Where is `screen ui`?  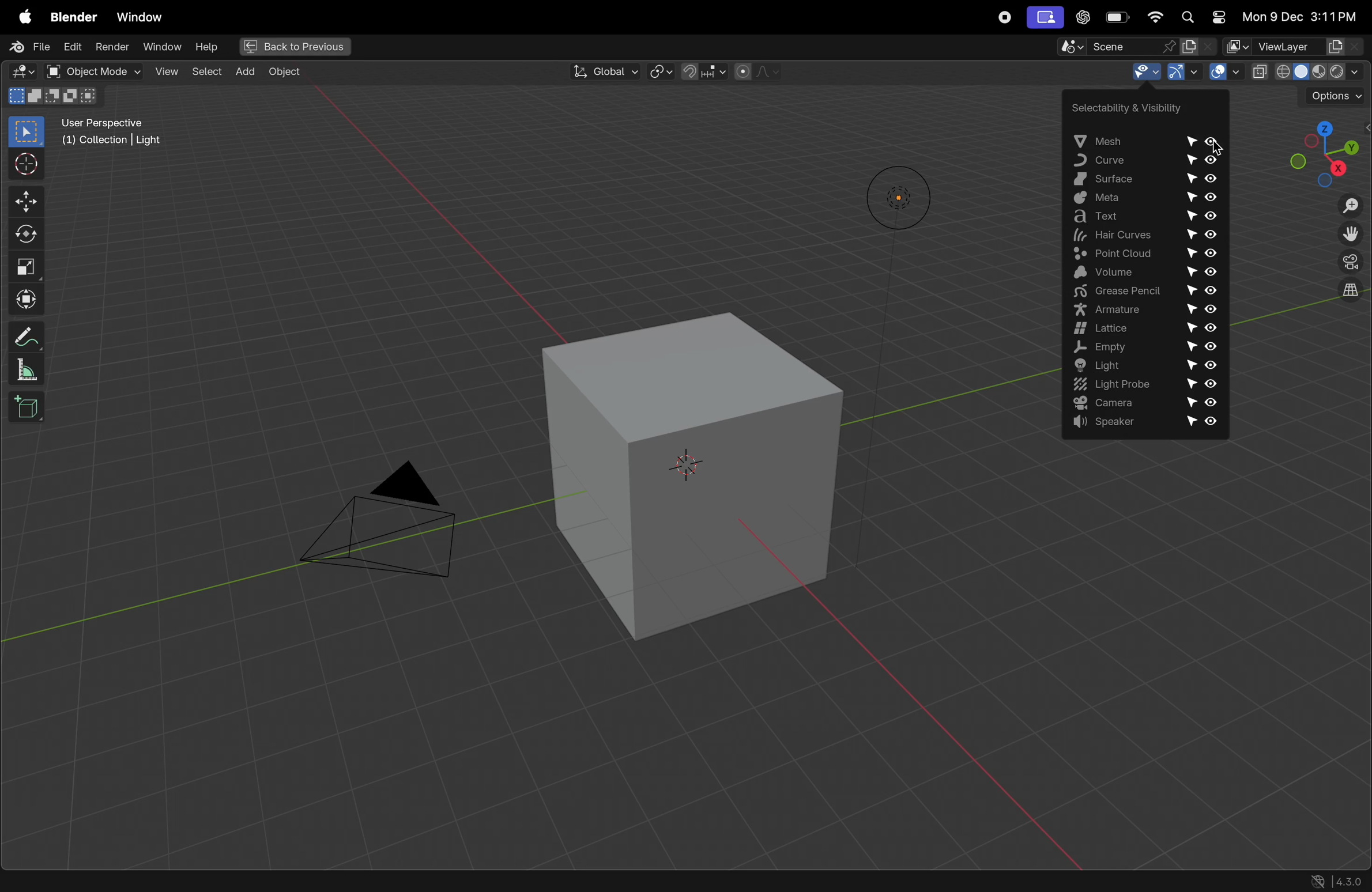
screen ui is located at coordinates (1044, 18).